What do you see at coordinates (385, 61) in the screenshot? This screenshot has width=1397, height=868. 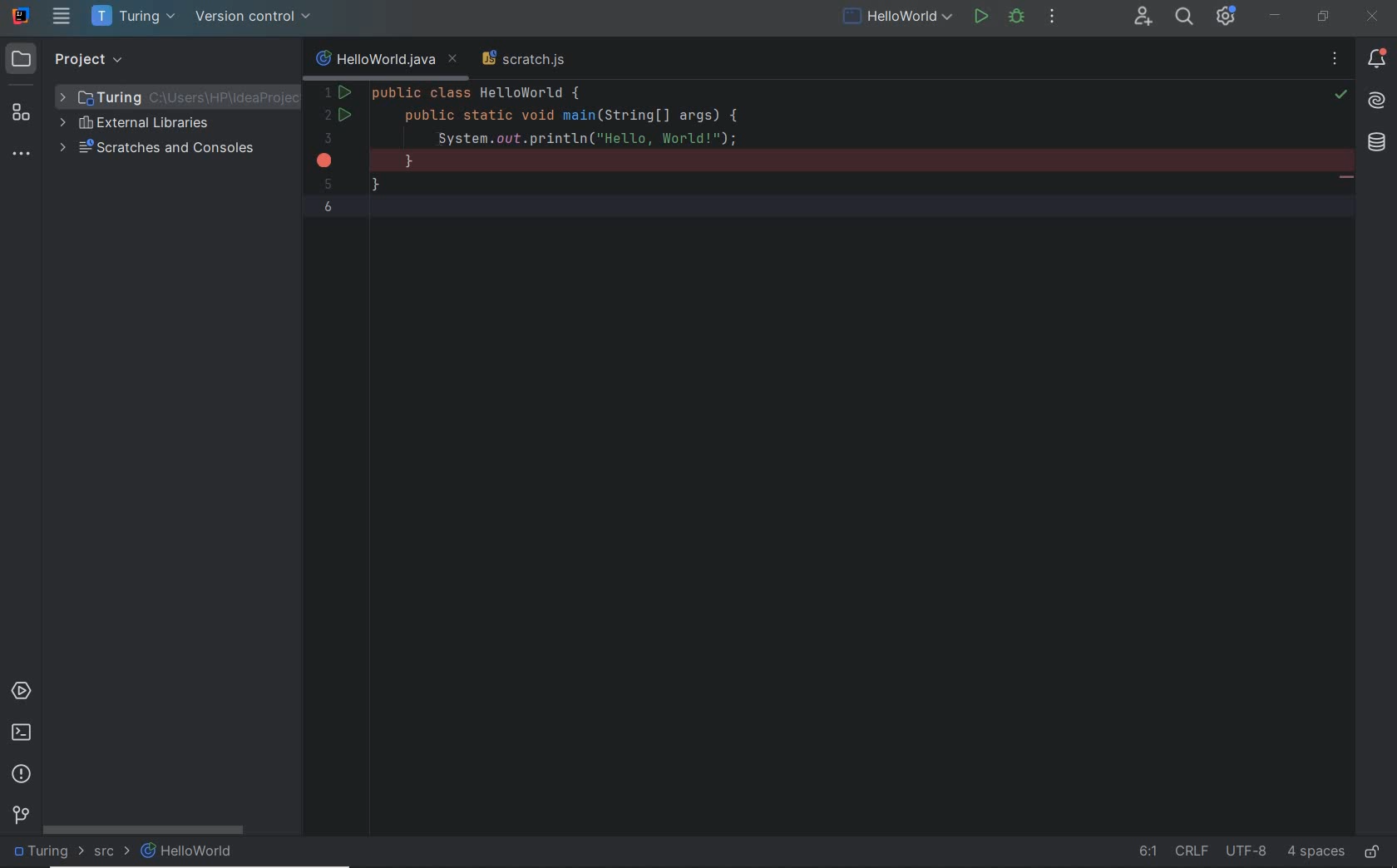 I see `current file name` at bounding box center [385, 61].